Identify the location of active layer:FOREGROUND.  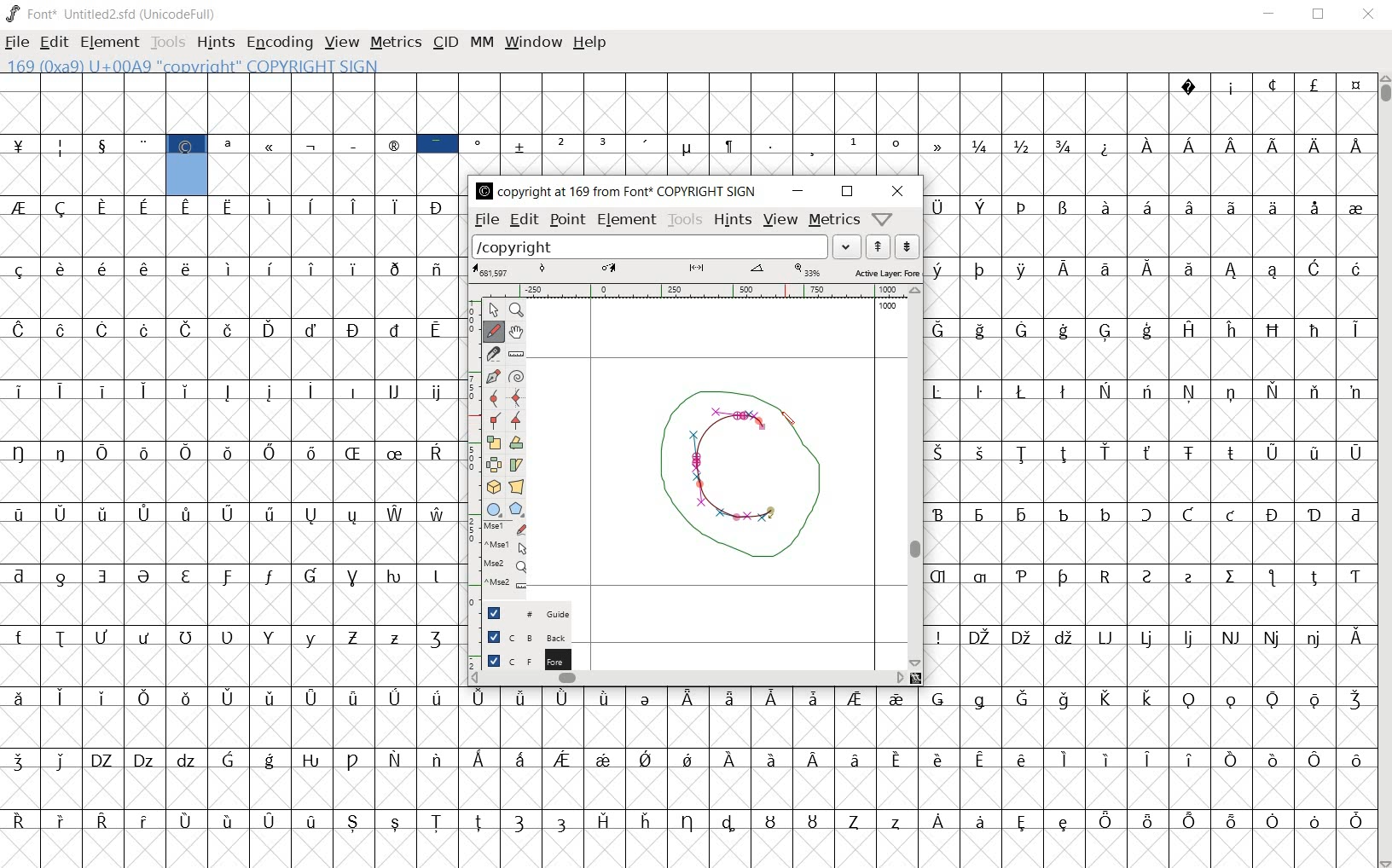
(695, 271).